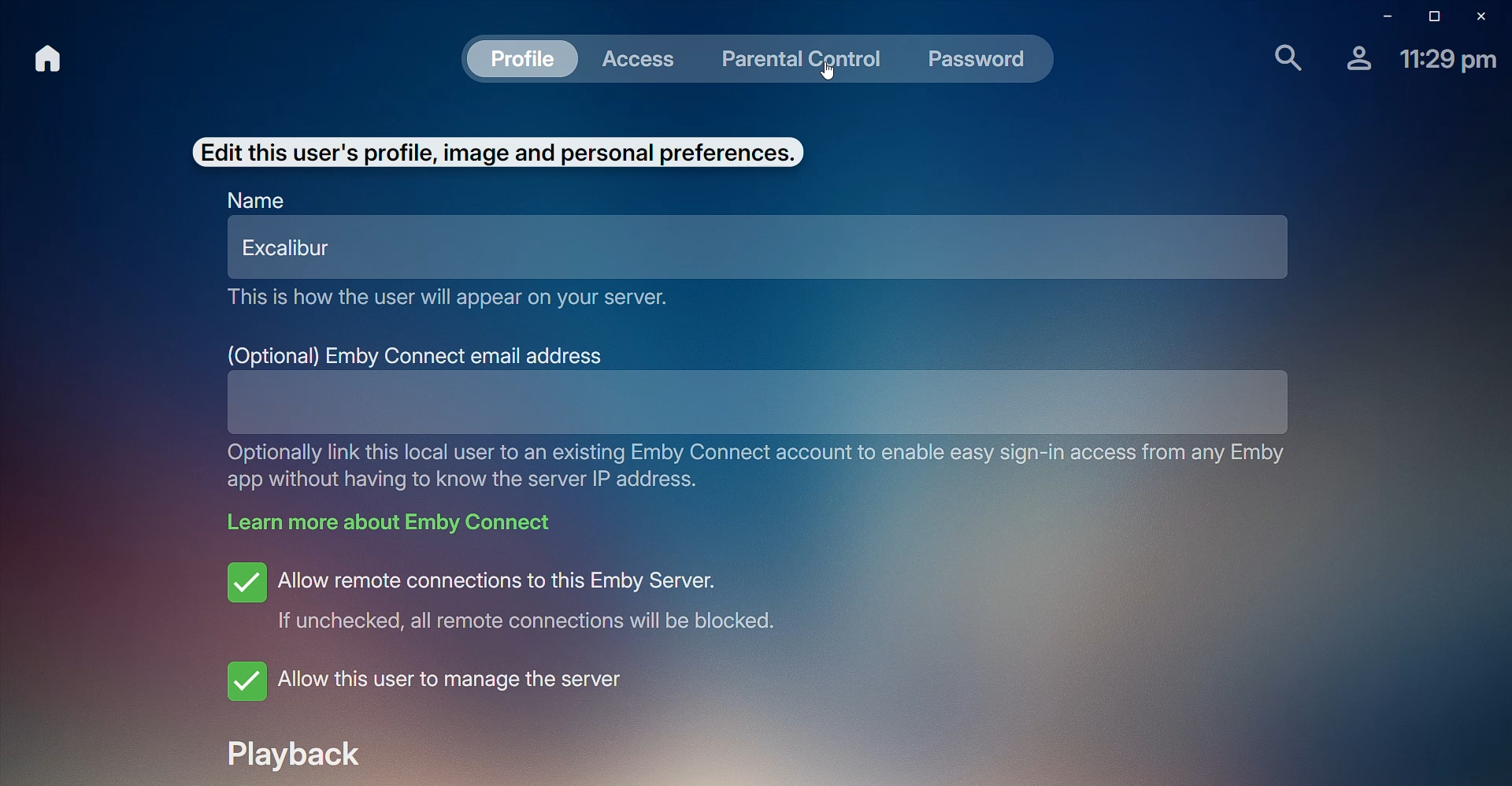 This screenshot has height=786, width=1512. What do you see at coordinates (257, 202) in the screenshot?
I see `Name` at bounding box center [257, 202].